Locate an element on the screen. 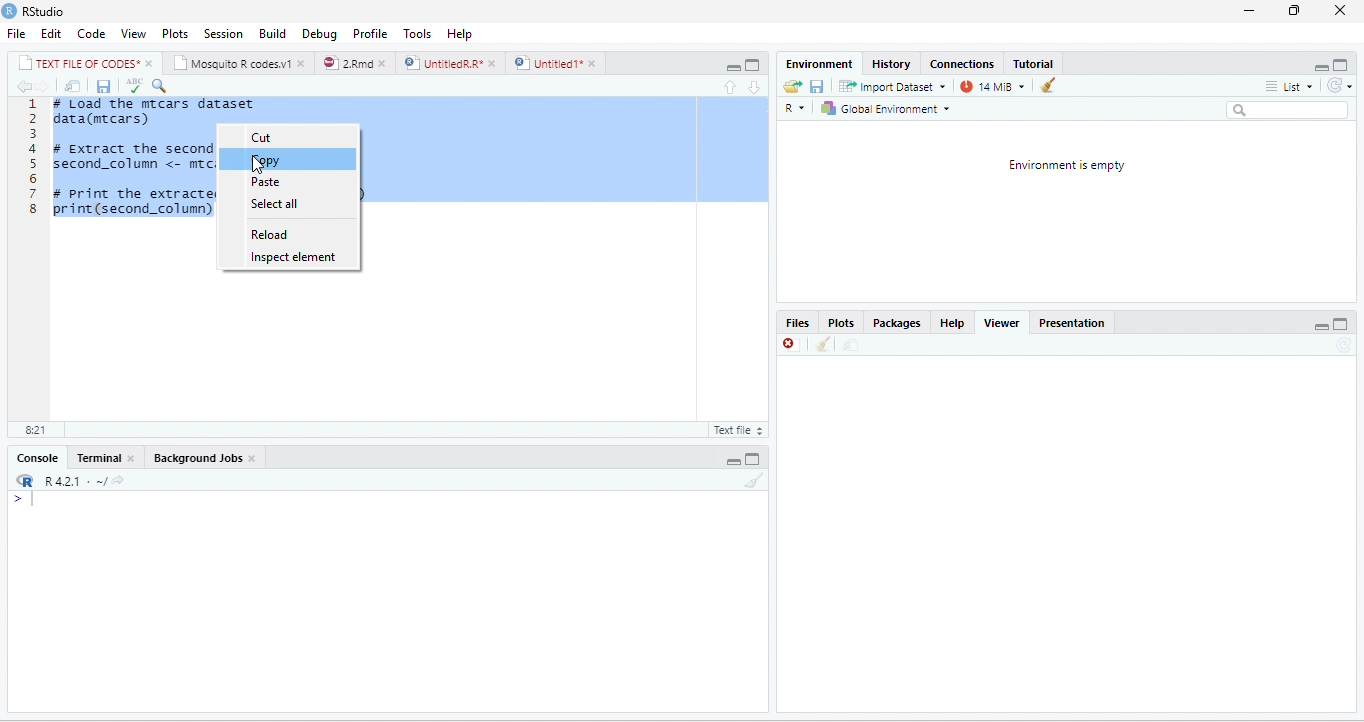 The image size is (1364, 722). 7 is located at coordinates (32, 193).